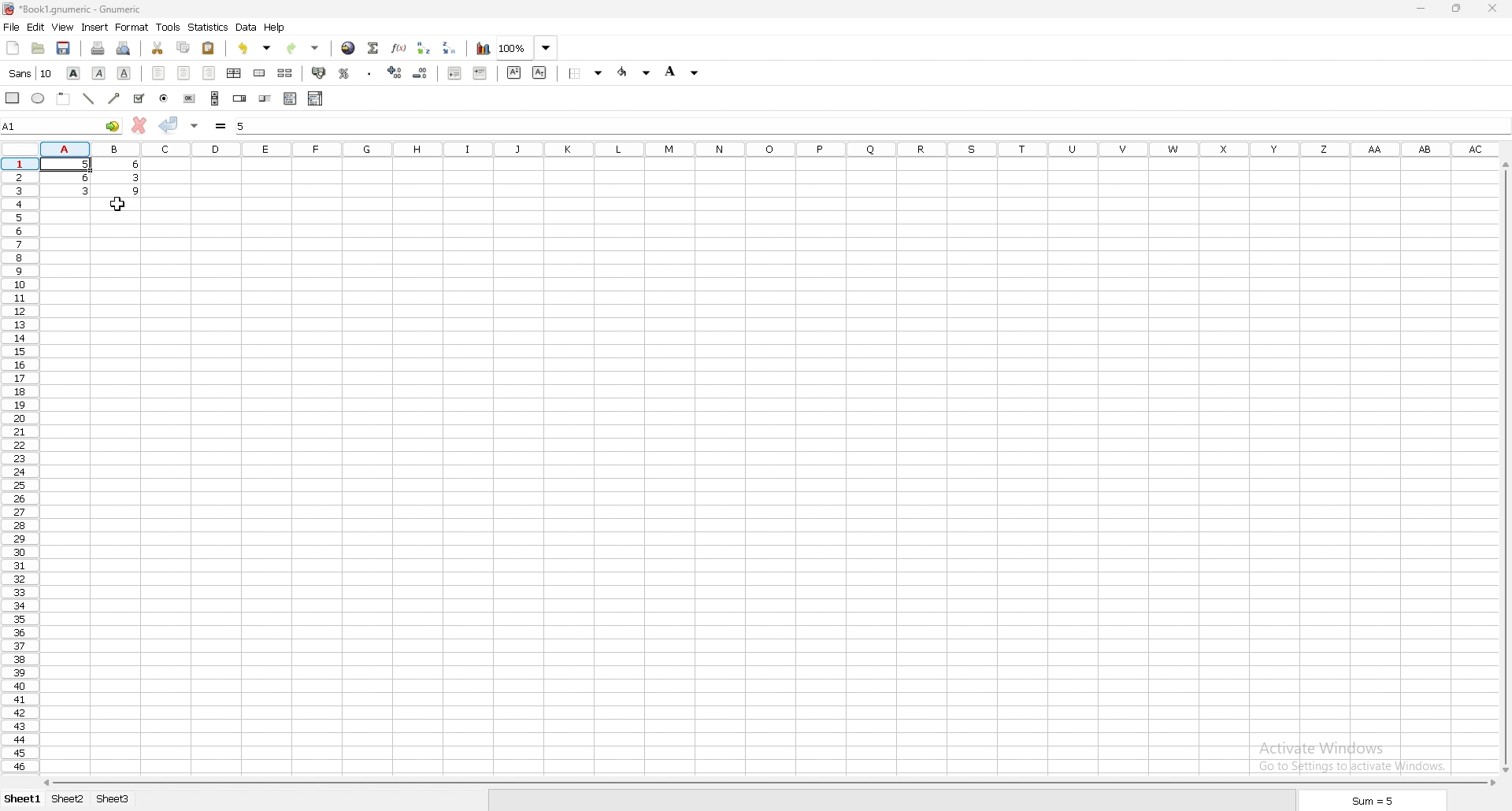 This screenshot has width=1512, height=811. What do you see at coordinates (12, 98) in the screenshot?
I see `rectangle` at bounding box center [12, 98].